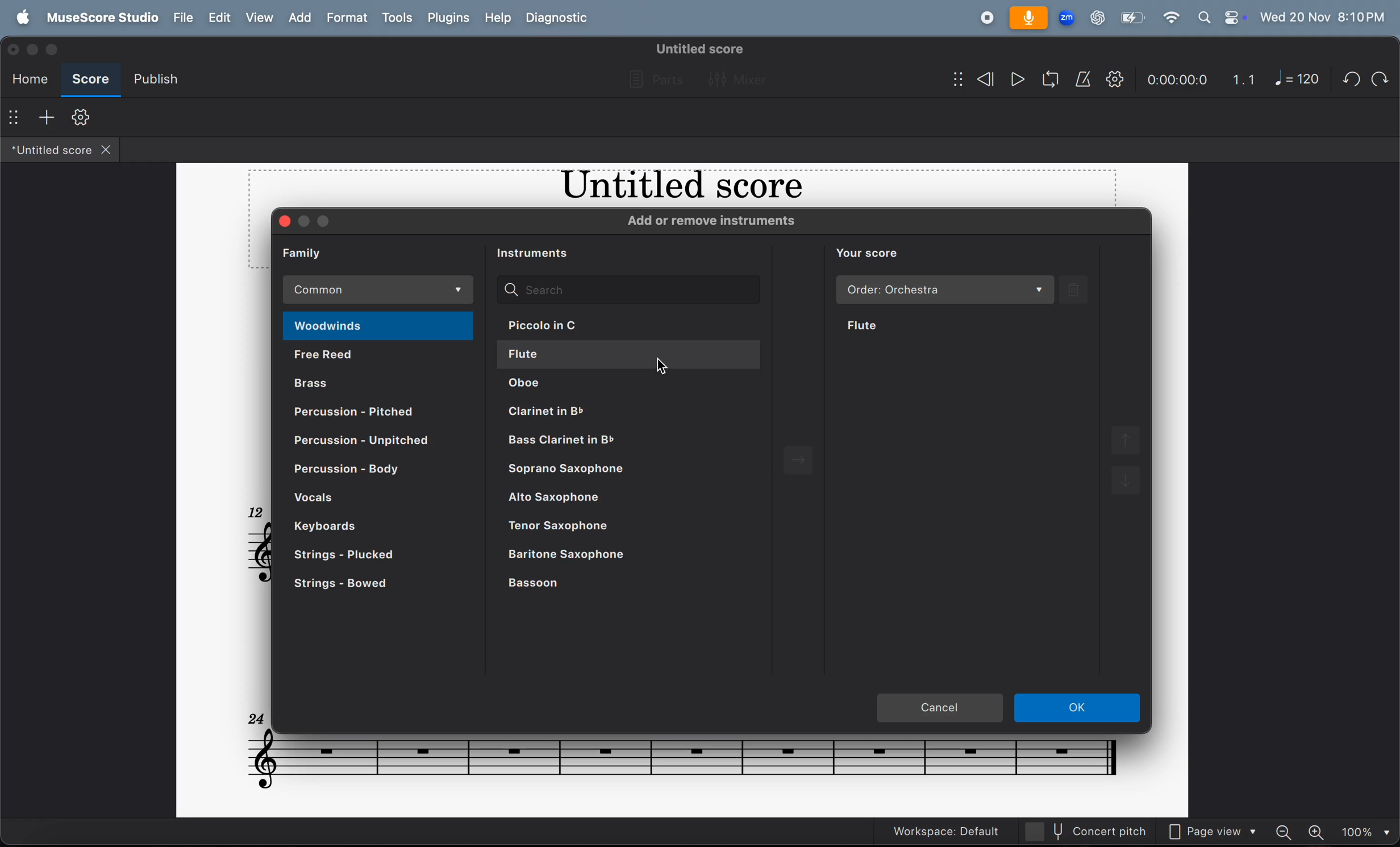 This screenshot has width=1400, height=847. I want to click on metronome, so click(1084, 80).